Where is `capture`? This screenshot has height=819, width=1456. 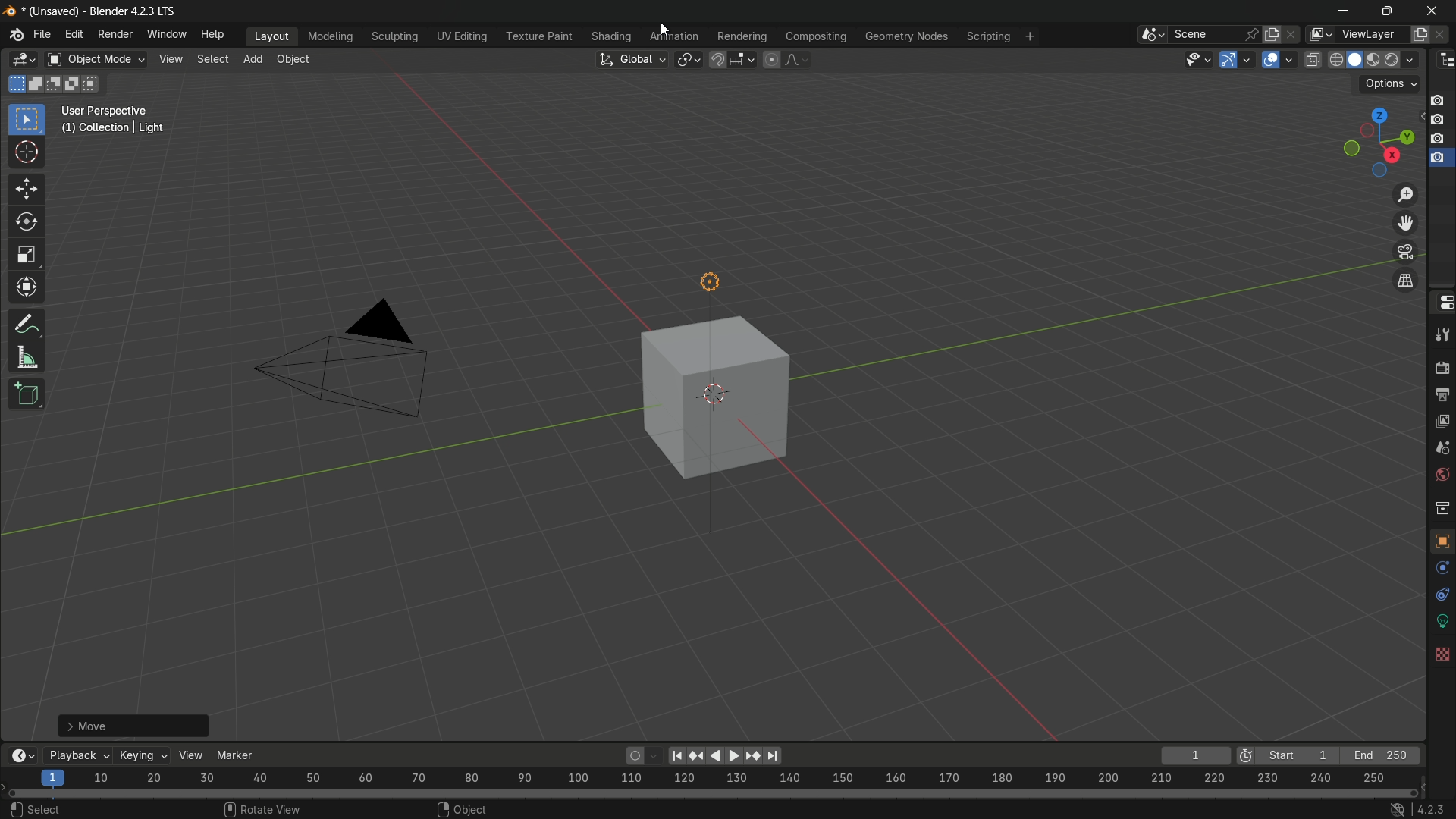
capture is located at coordinates (1438, 162).